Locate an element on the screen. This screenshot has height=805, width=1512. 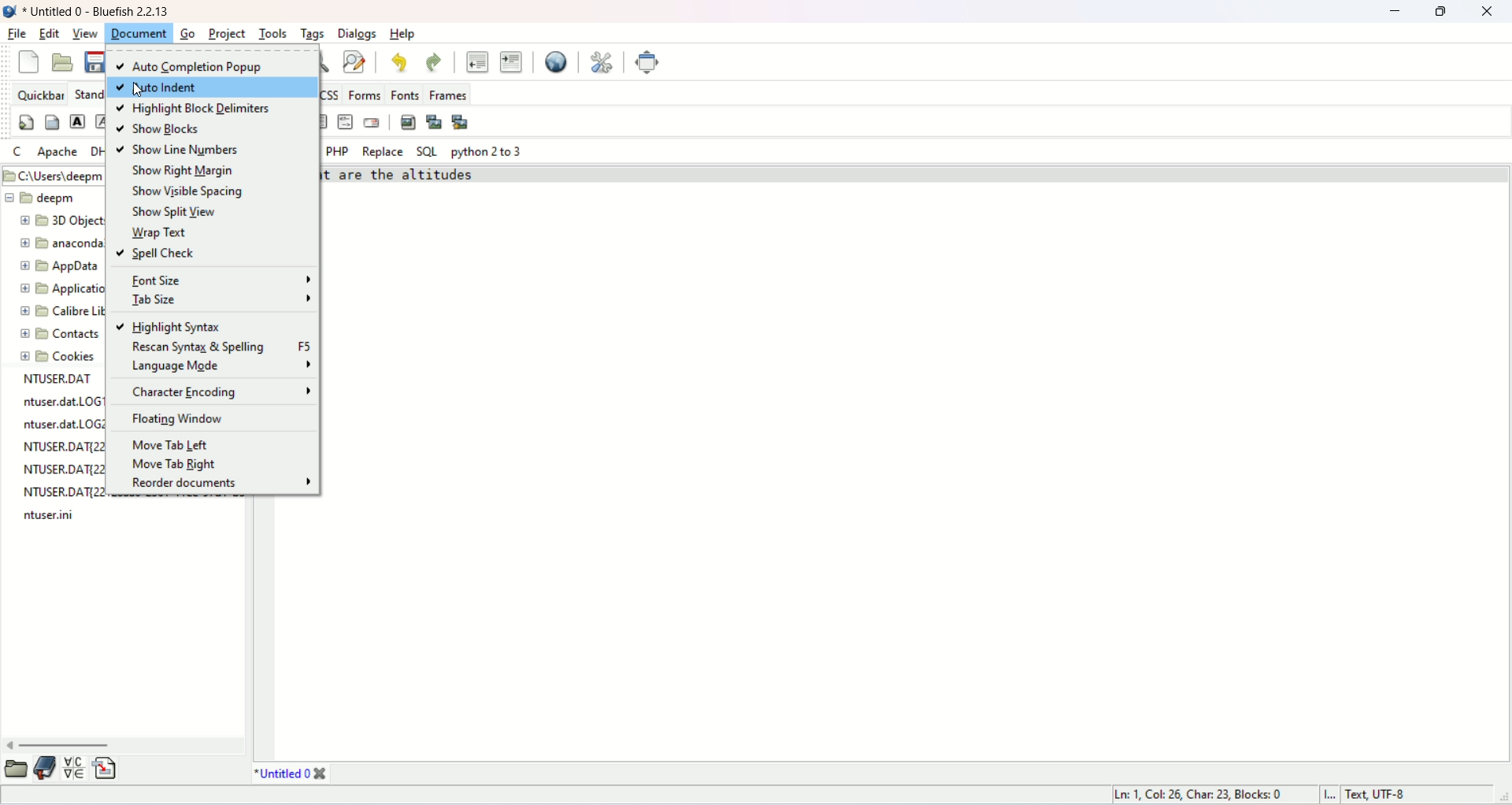
move tab right is located at coordinates (176, 461).